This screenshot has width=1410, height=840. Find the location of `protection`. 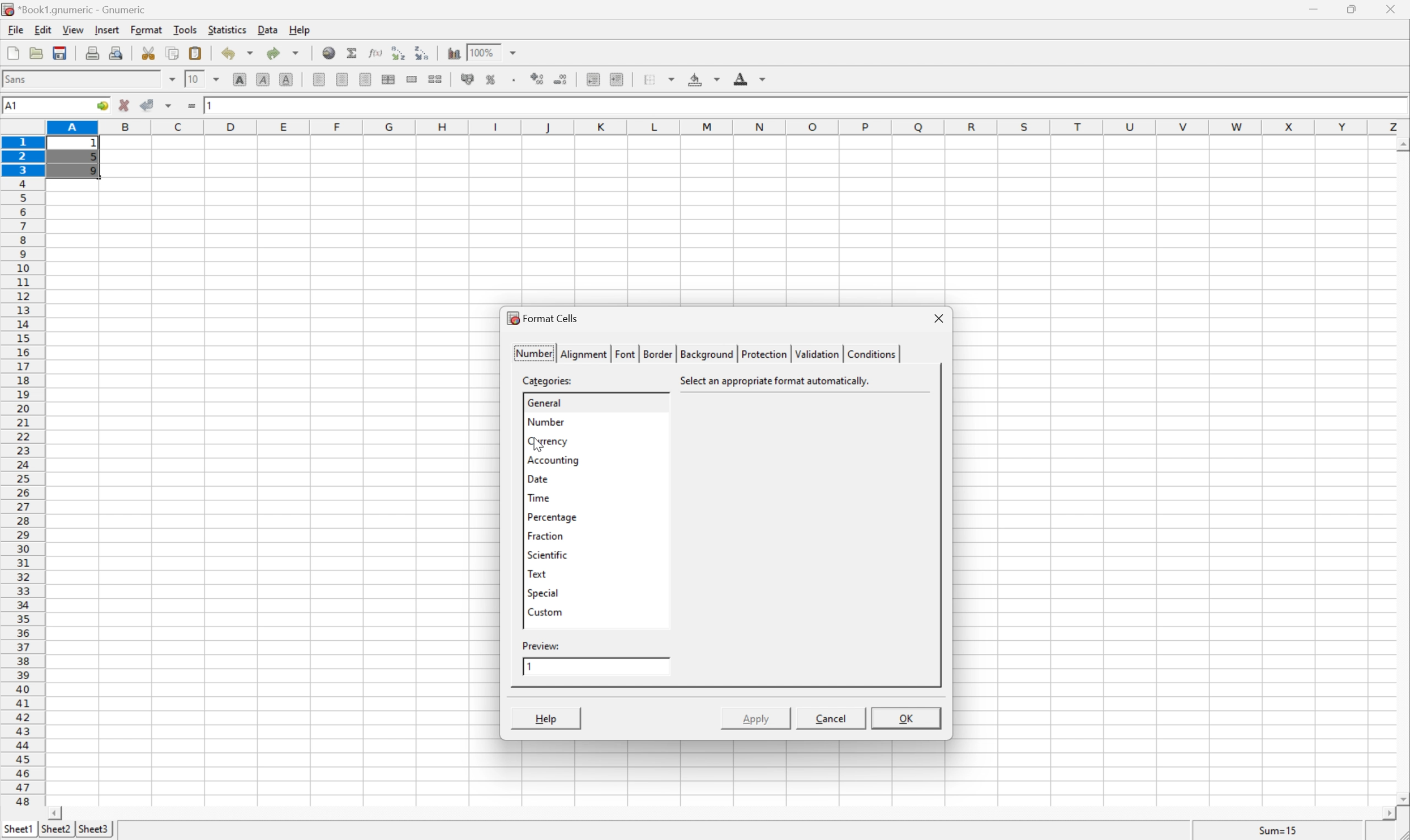

protection is located at coordinates (762, 354).